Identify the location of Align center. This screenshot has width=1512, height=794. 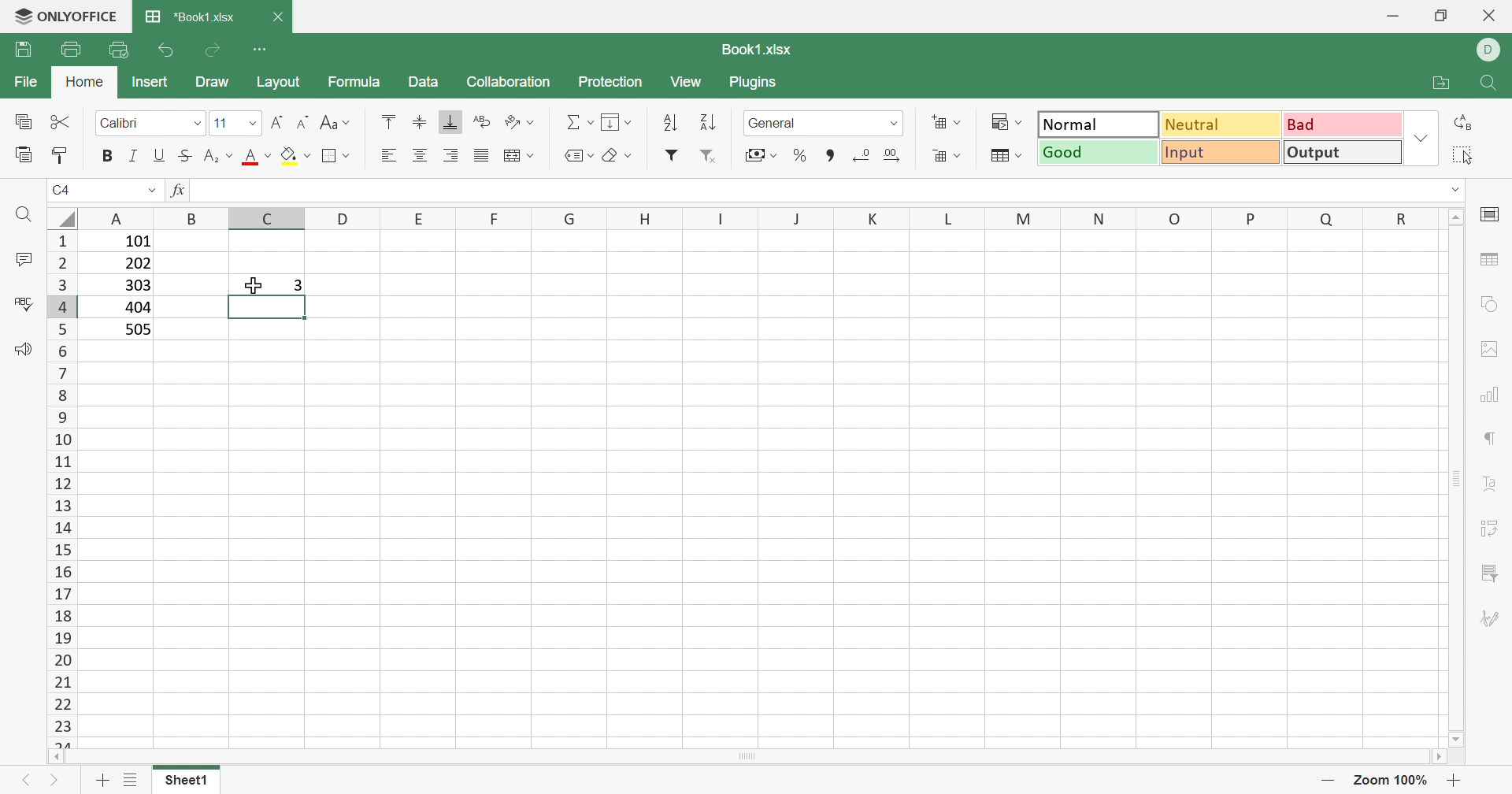
(424, 154).